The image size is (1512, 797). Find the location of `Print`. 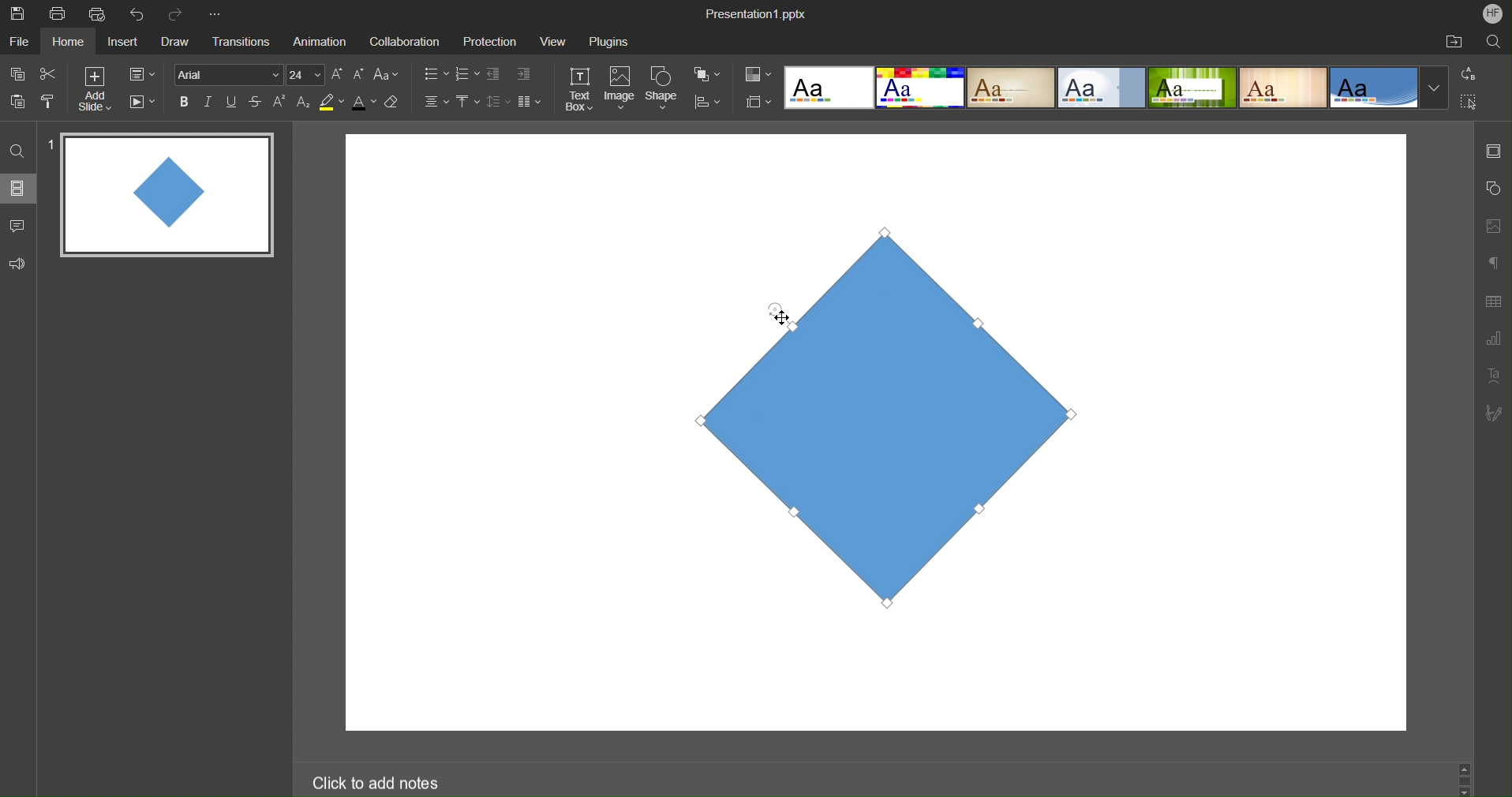

Print is located at coordinates (58, 12).